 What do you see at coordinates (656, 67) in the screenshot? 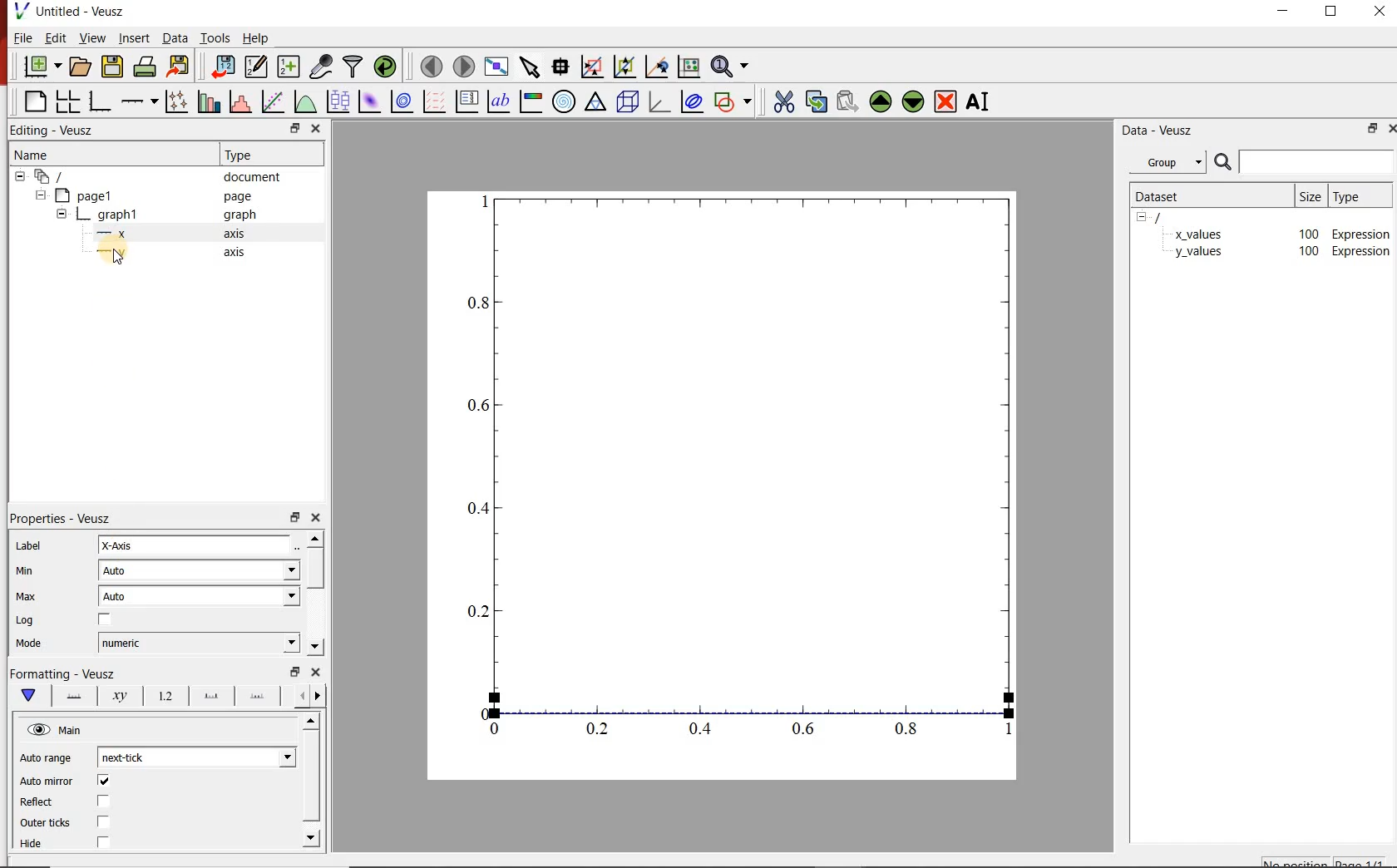
I see `click to recenter graph axes` at bounding box center [656, 67].